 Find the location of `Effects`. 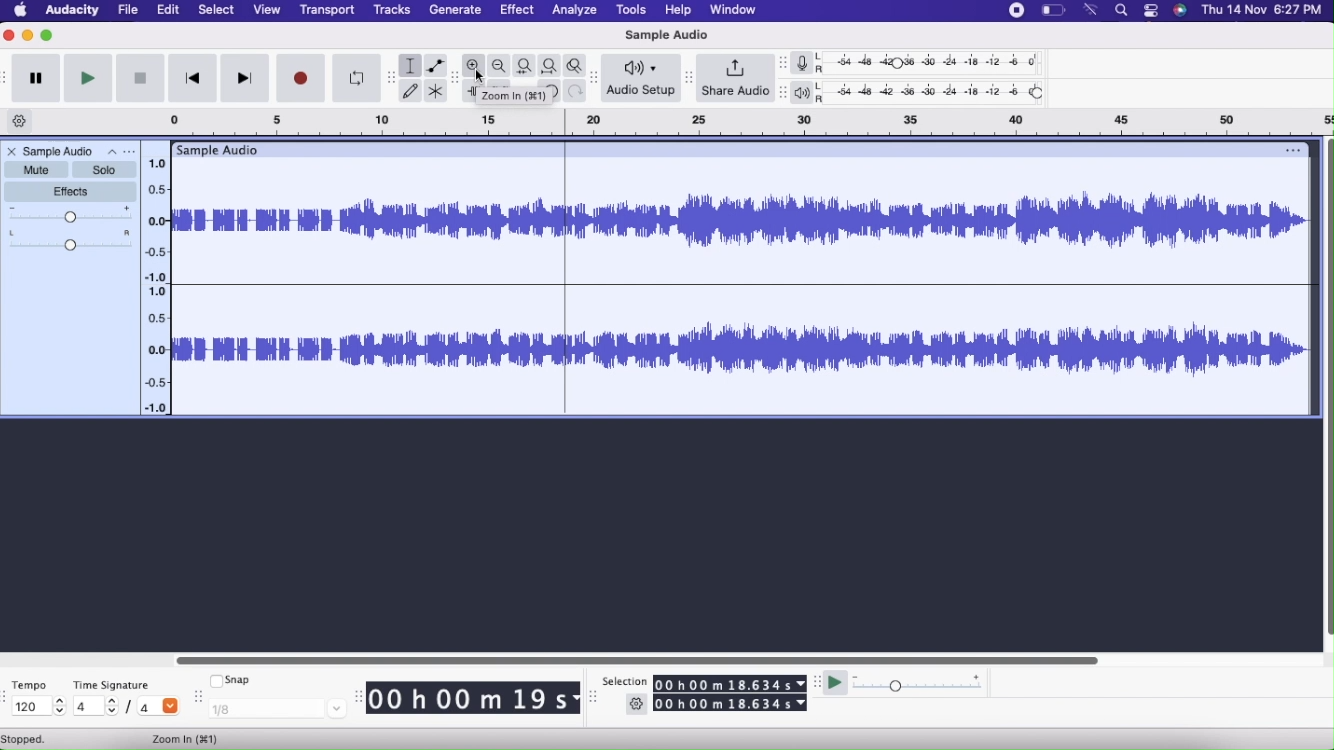

Effects is located at coordinates (70, 193).